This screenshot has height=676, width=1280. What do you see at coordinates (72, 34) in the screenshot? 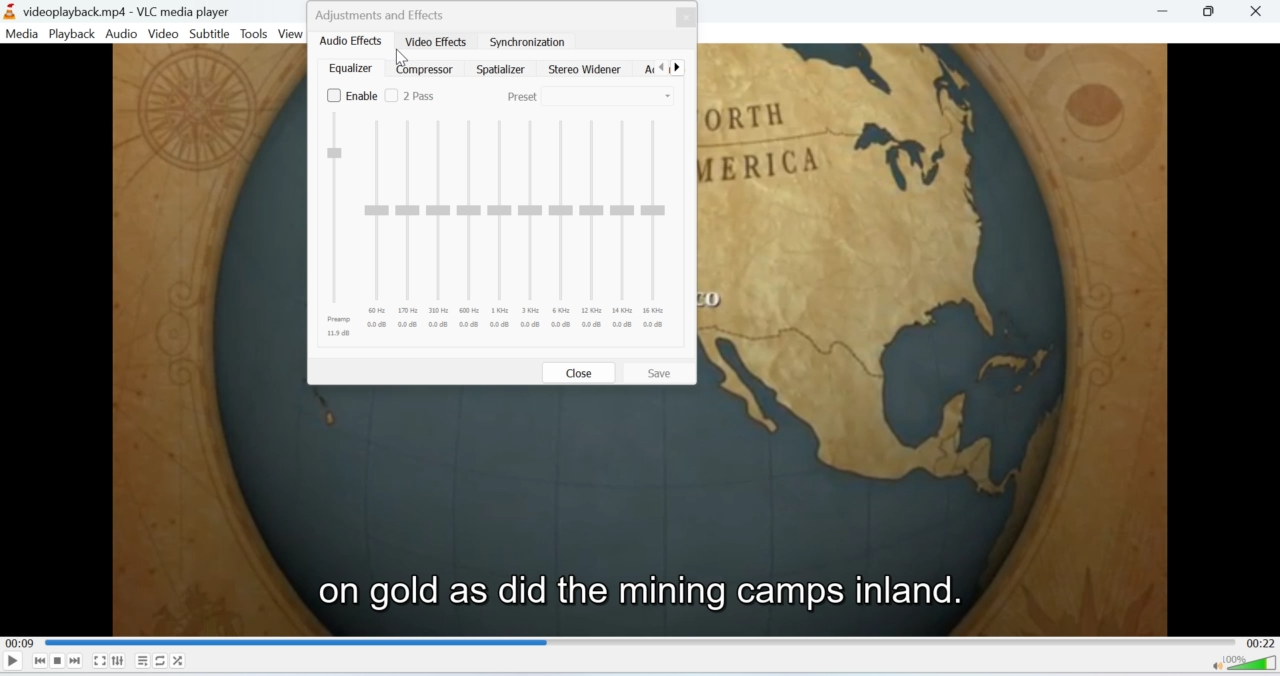
I see `Playback` at bounding box center [72, 34].